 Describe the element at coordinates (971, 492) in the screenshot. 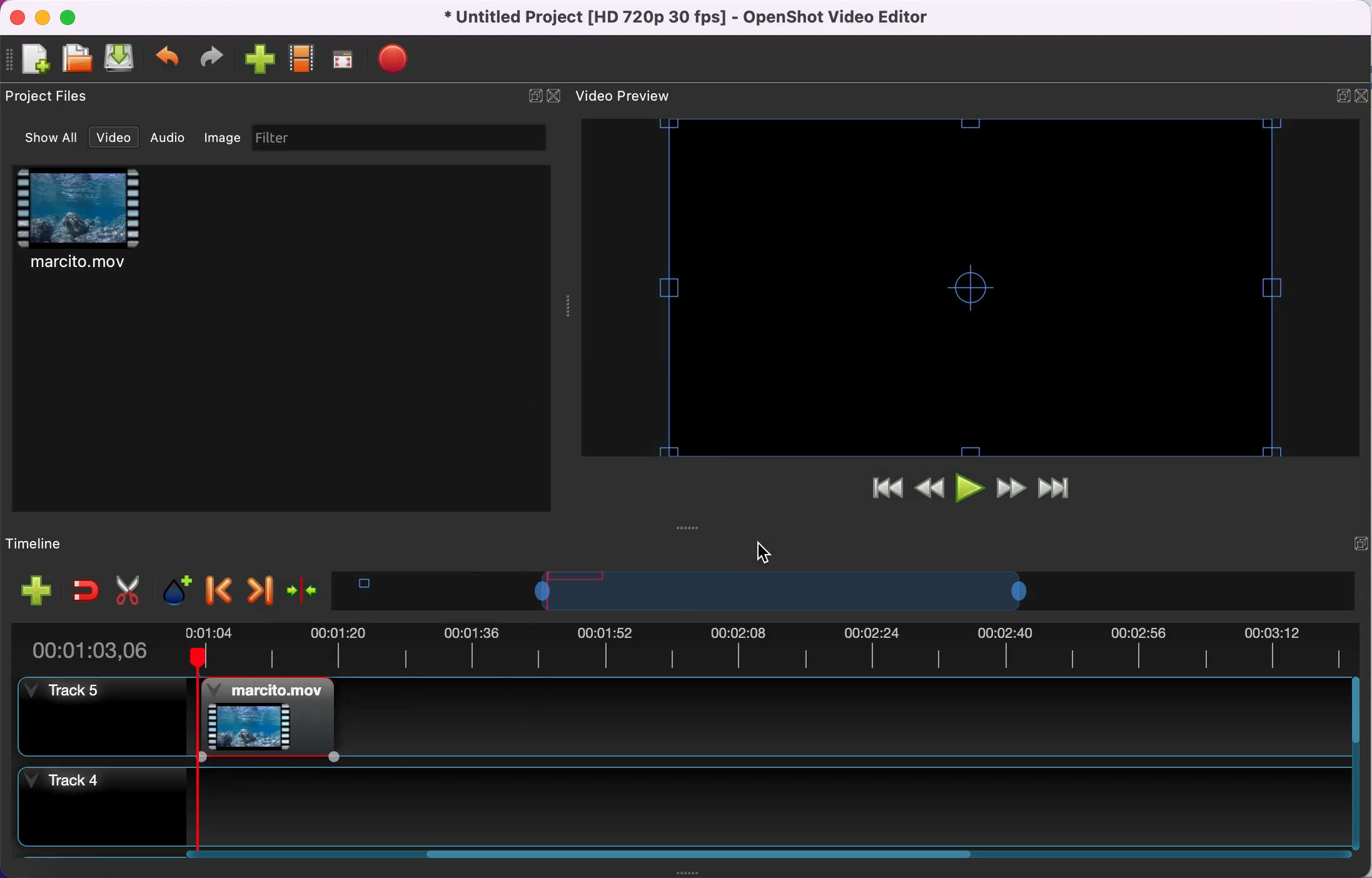

I see `play` at that location.